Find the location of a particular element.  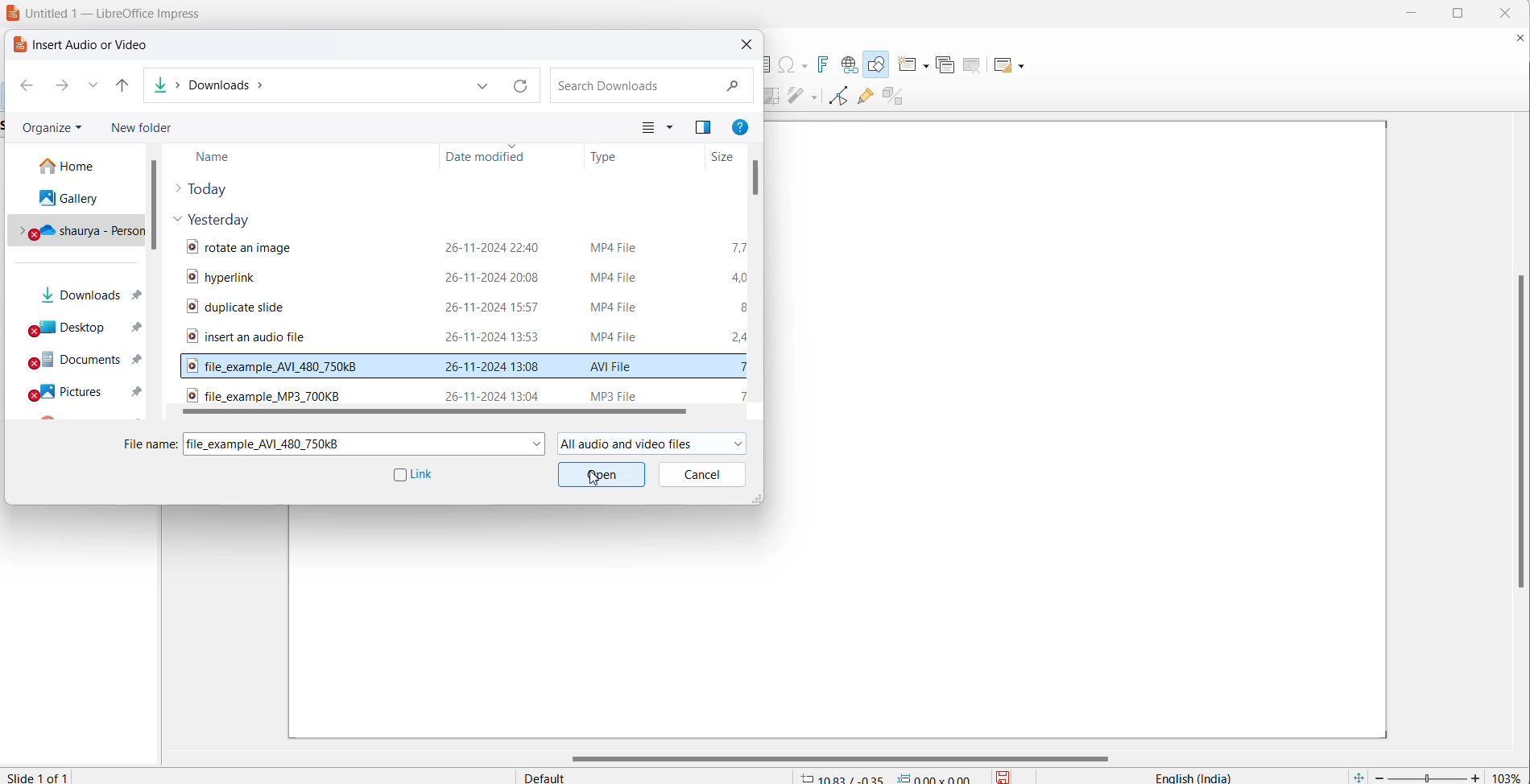

Name is located at coordinates (218, 157).